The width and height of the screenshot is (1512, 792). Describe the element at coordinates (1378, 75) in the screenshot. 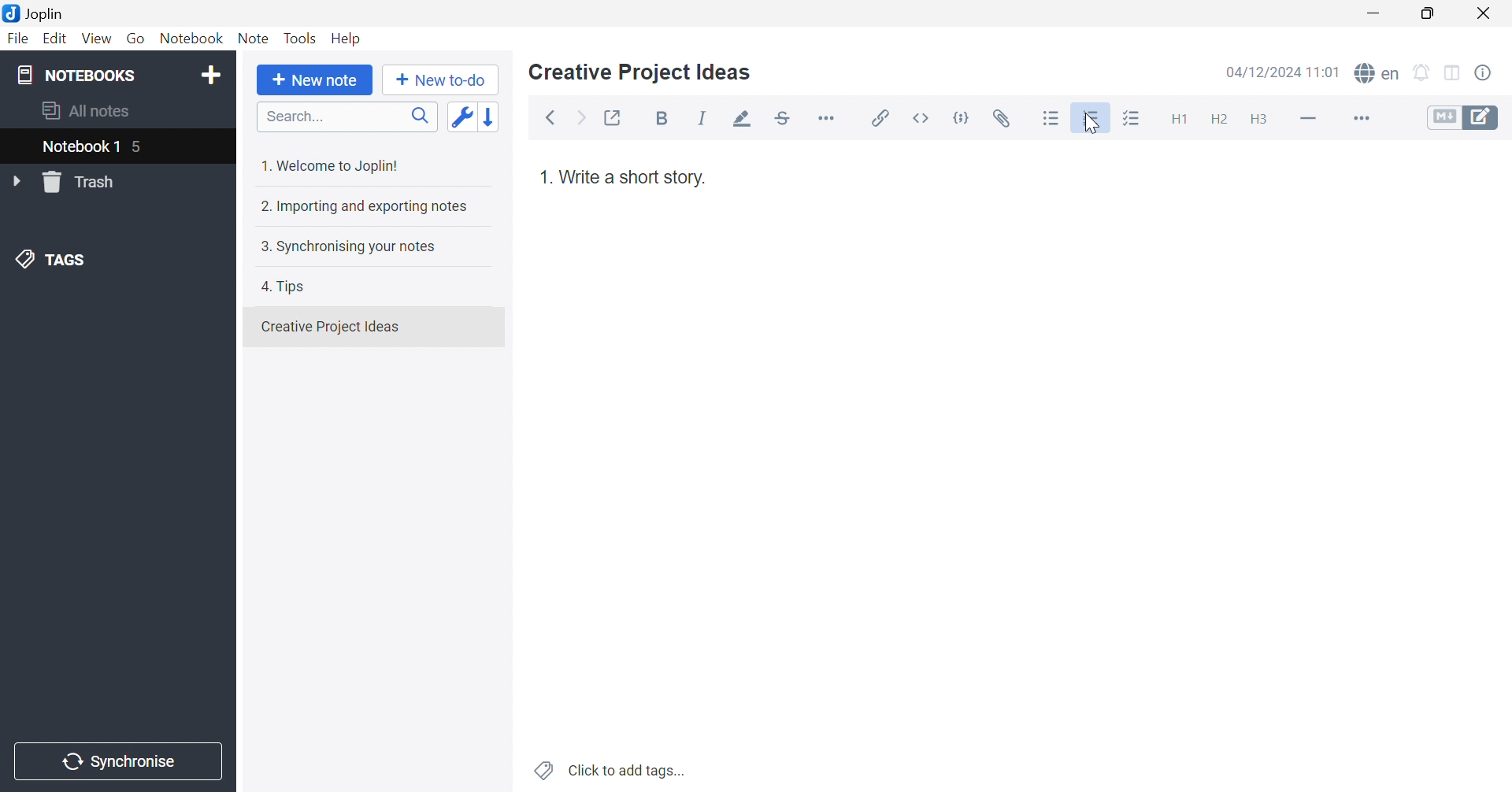

I see `Spell check` at that location.